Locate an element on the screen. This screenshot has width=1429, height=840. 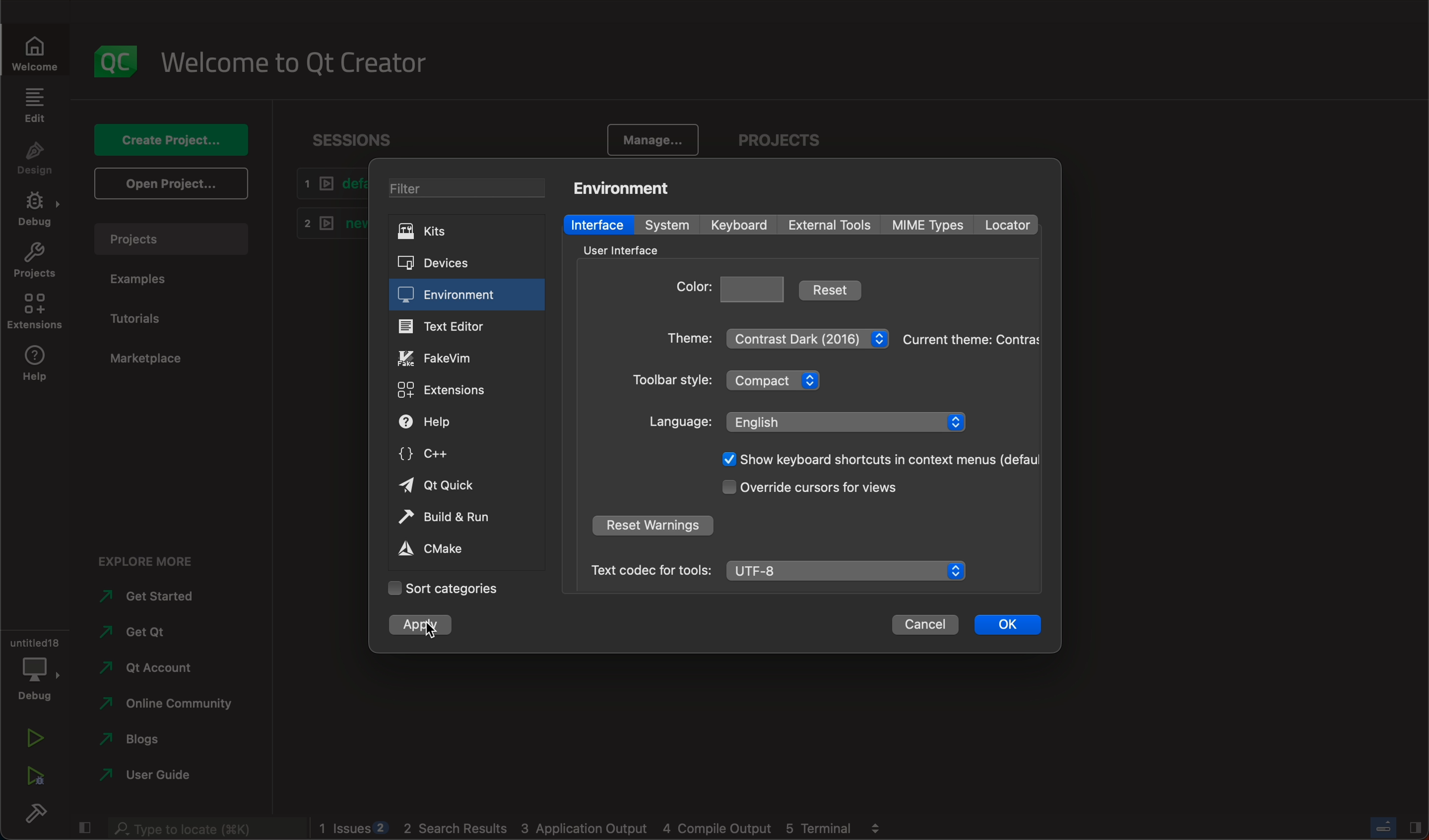
projects is located at coordinates (777, 141).